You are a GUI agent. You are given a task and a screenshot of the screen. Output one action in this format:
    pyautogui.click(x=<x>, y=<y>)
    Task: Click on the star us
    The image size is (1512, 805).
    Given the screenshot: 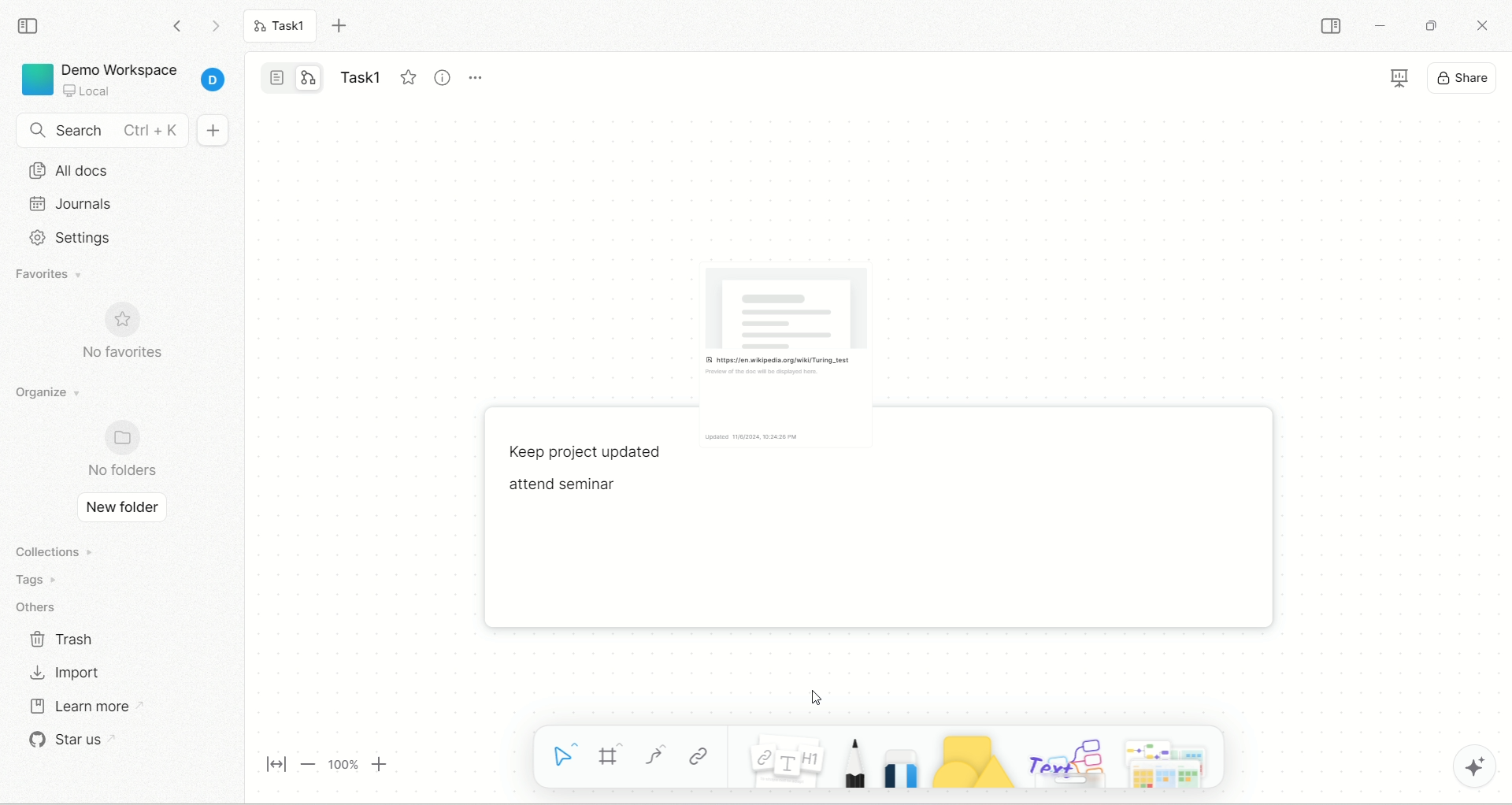 What is the action you would take?
    pyautogui.click(x=82, y=744)
    